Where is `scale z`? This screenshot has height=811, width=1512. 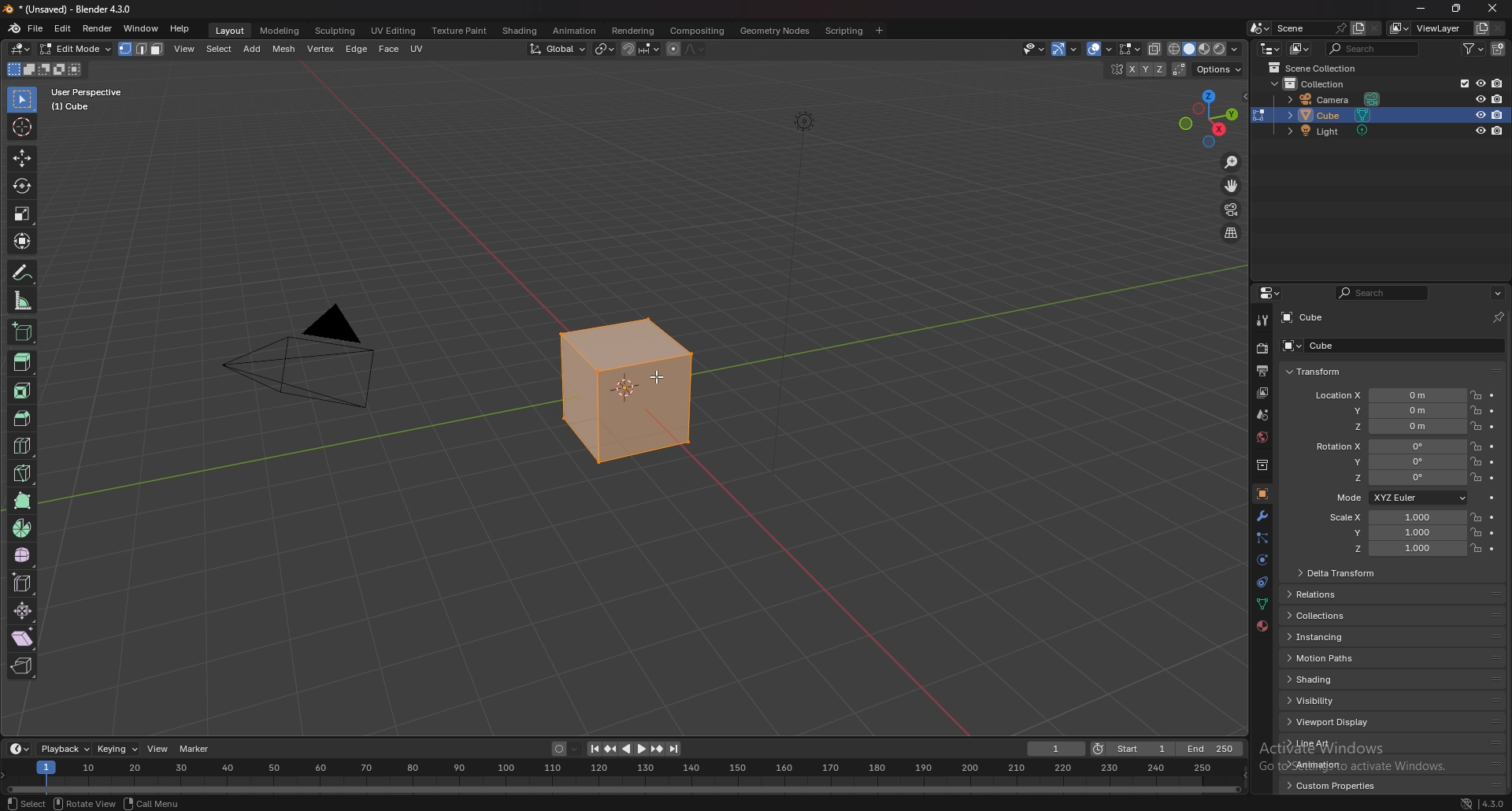
scale z is located at coordinates (1395, 548).